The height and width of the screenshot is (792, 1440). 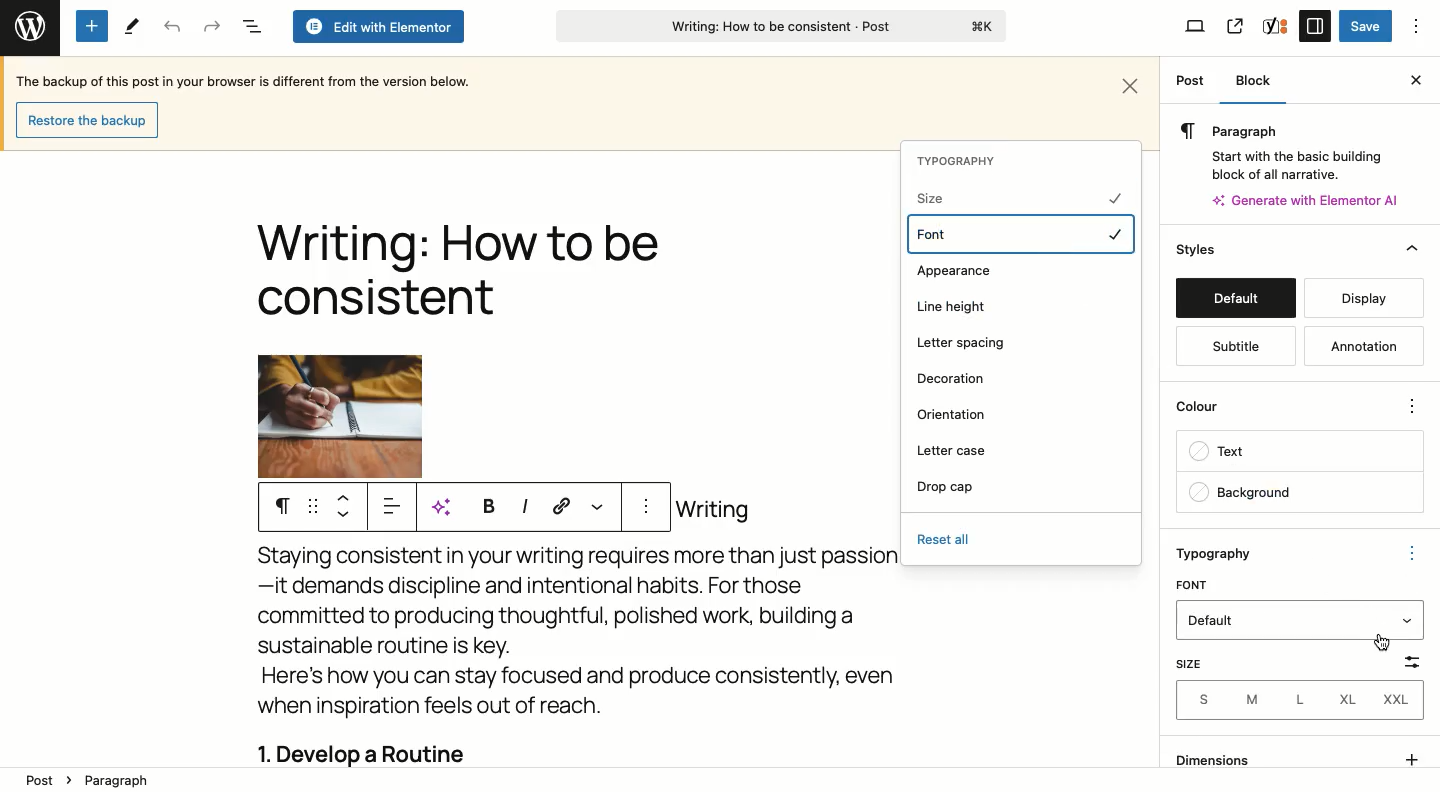 What do you see at coordinates (313, 507) in the screenshot?
I see `Drag` at bounding box center [313, 507].